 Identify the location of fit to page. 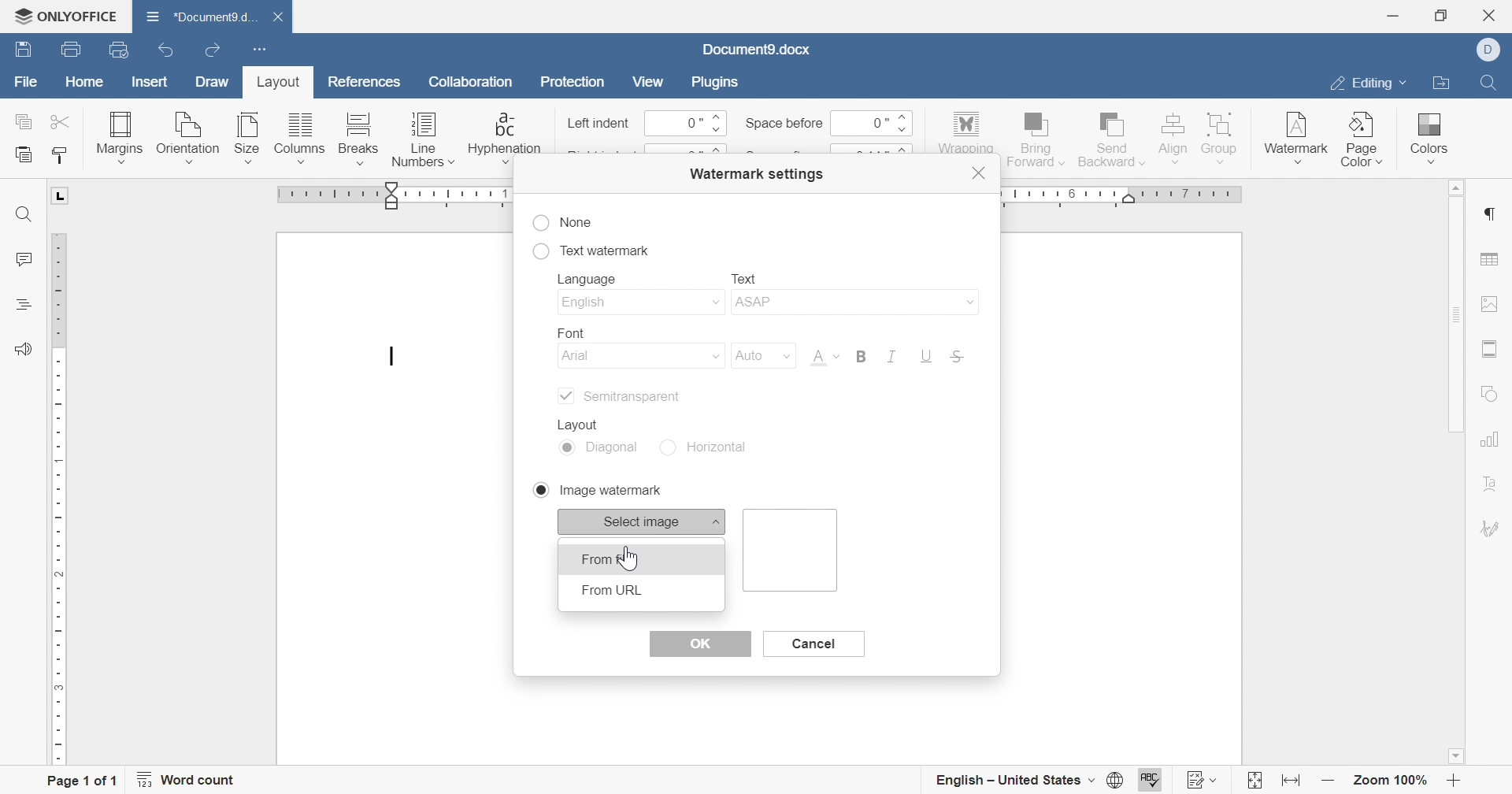
(1253, 783).